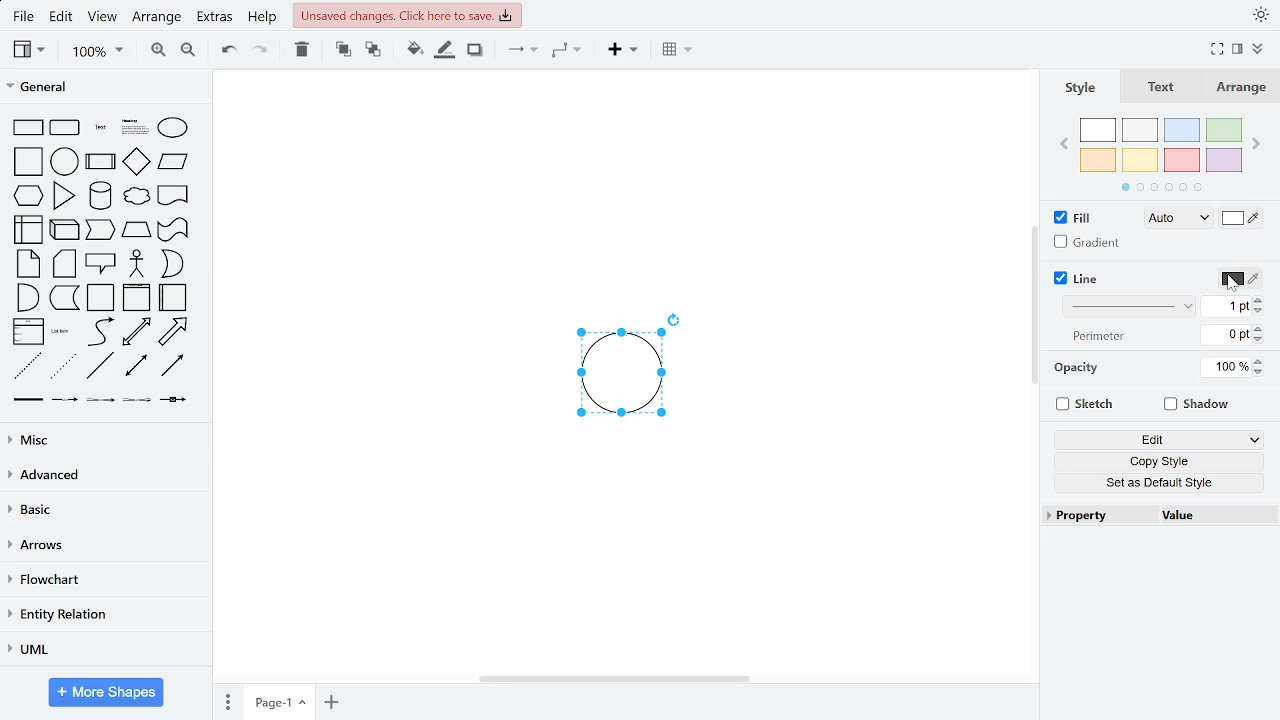 The width and height of the screenshot is (1280, 720). Describe the element at coordinates (1216, 48) in the screenshot. I see `full screen` at that location.